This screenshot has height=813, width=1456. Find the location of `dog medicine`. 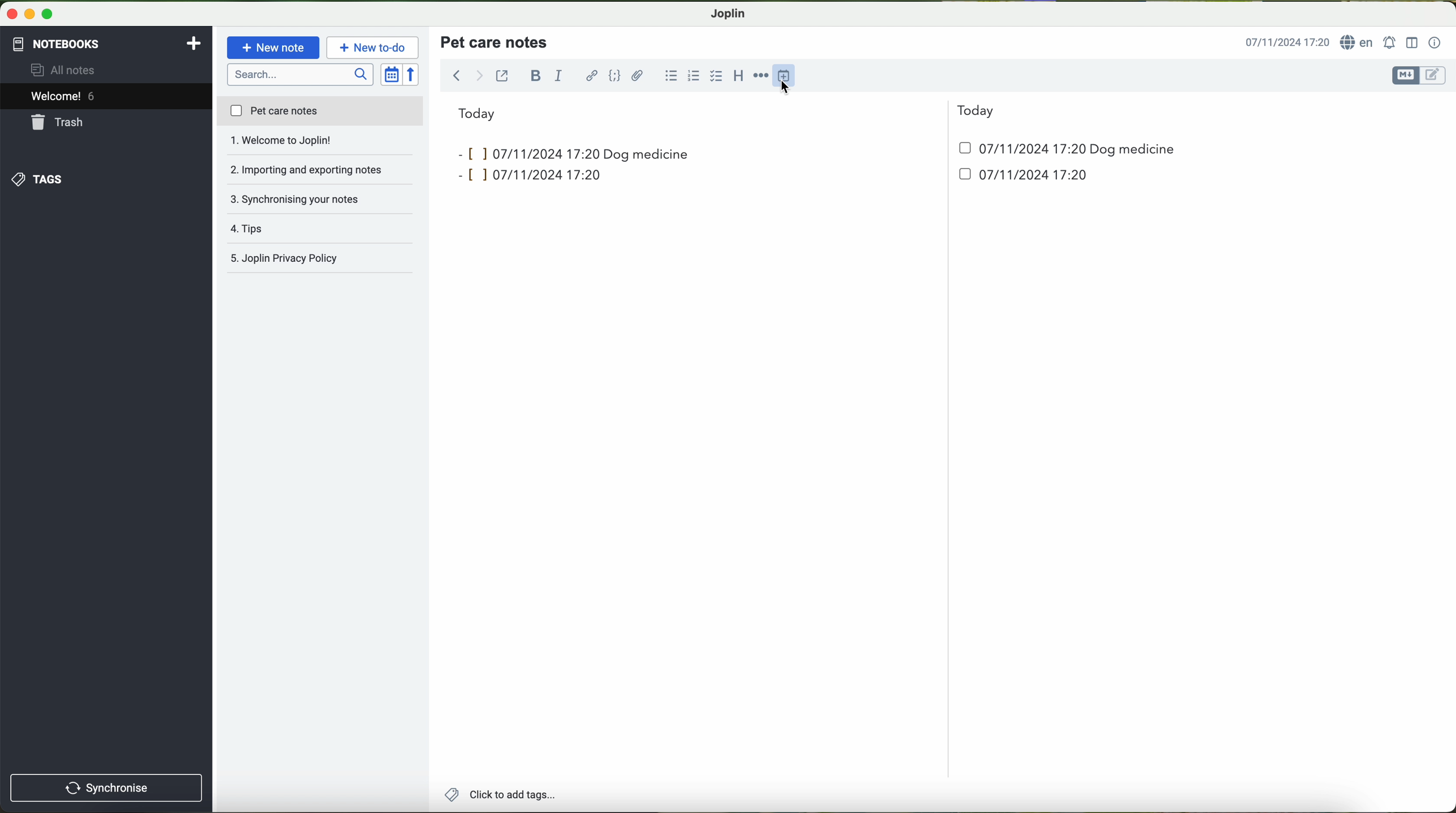

dog medicine is located at coordinates (647, 155).